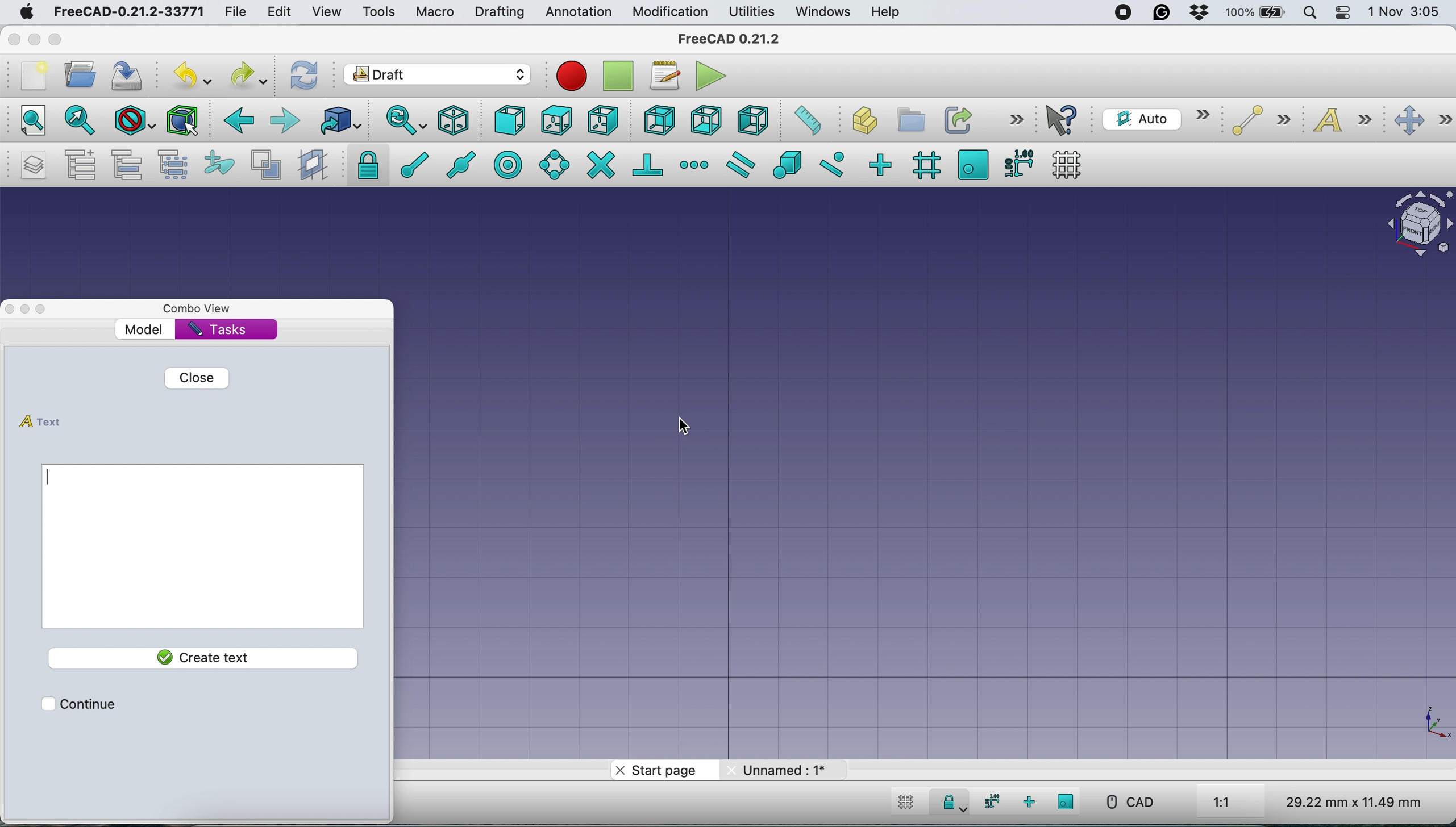 The width and height of the screenshot is (1456, 827). What do you see at coordinates (47, 424) in the screenshot?
I see `text` at bounding box center [47, 424].